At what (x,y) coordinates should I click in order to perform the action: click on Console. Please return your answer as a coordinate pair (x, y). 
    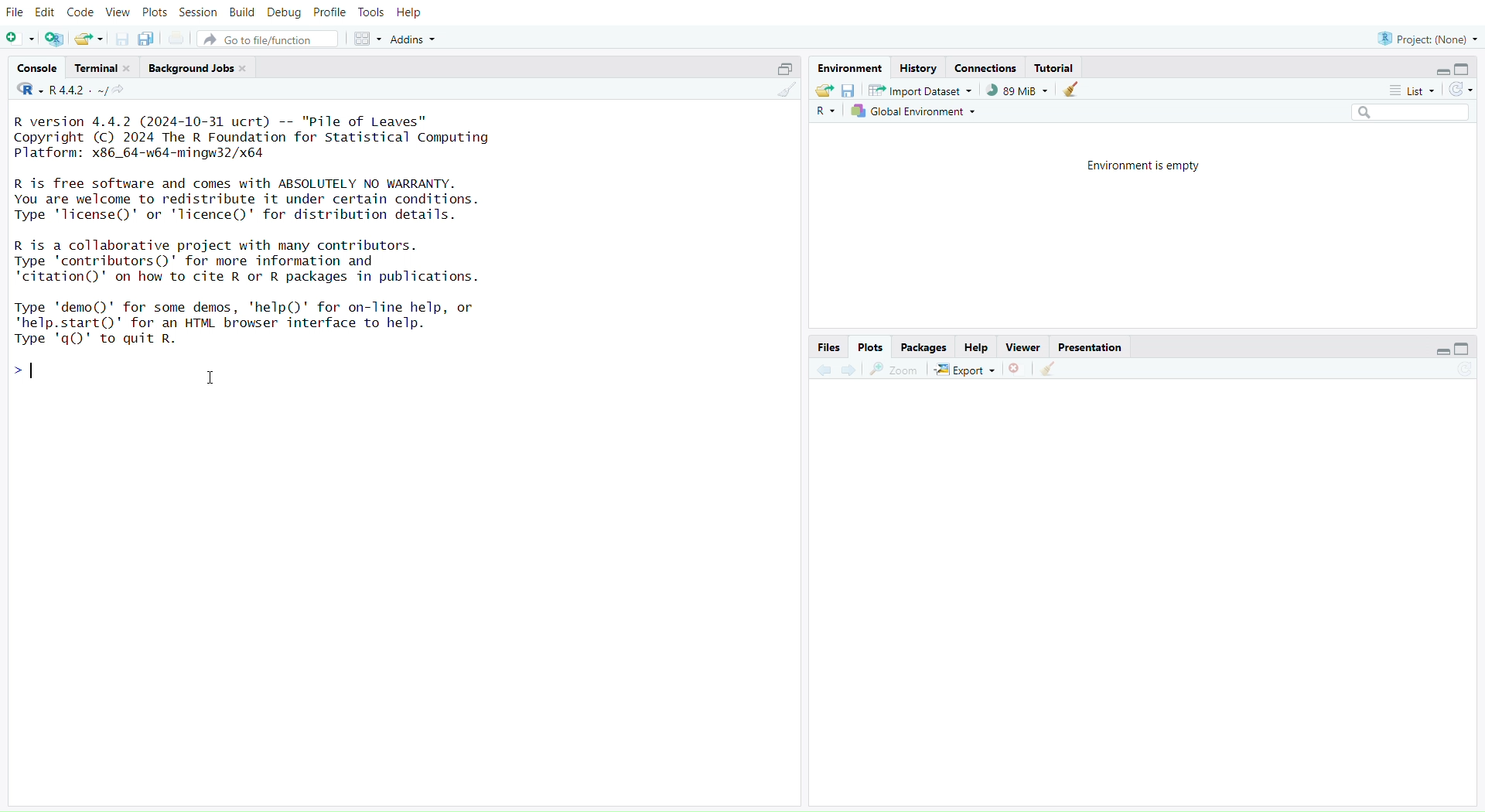
    Looking at the image, I should click on (37, 69).